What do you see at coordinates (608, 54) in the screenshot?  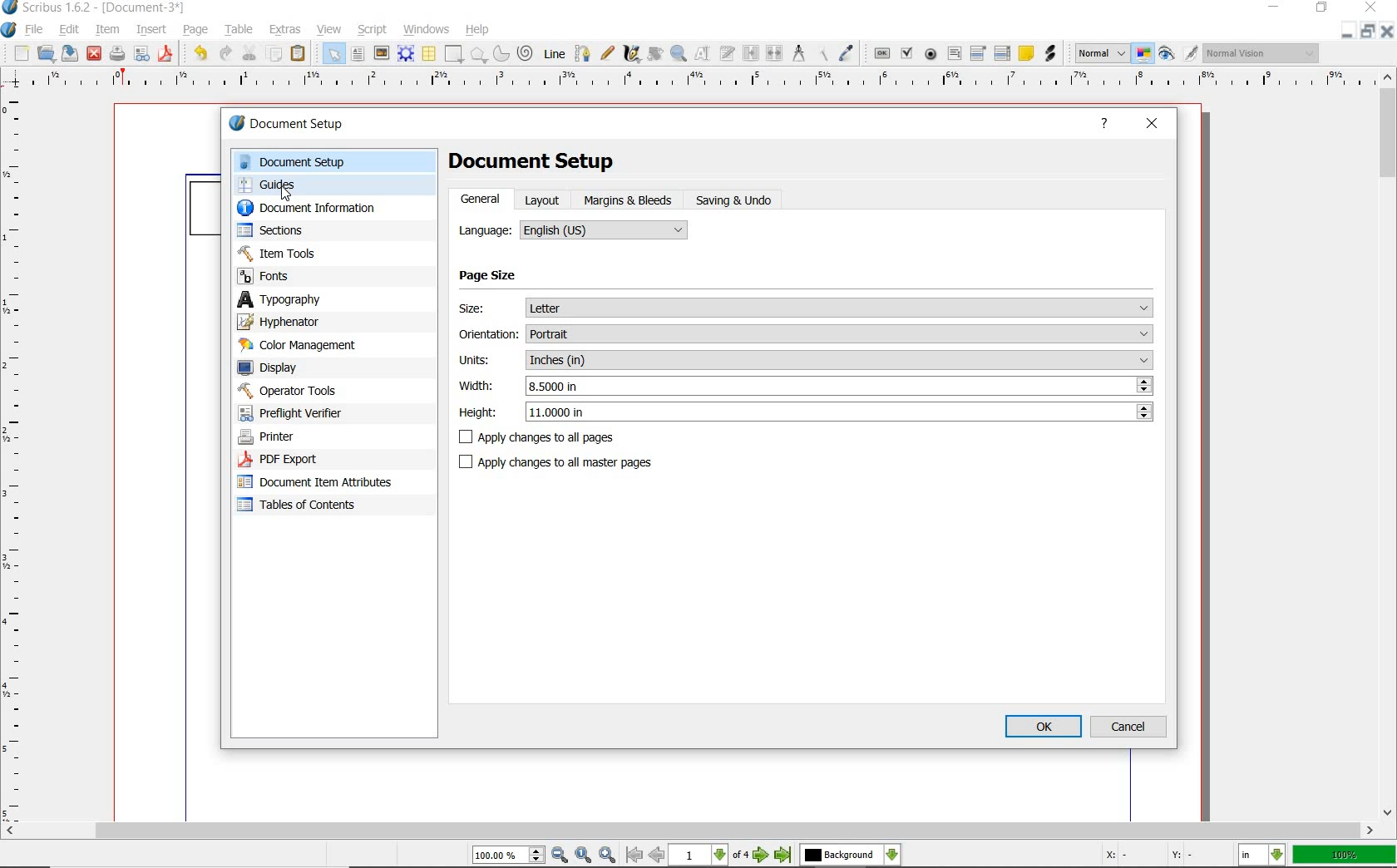 I see `freehand line` at bounding box center [608, 54].